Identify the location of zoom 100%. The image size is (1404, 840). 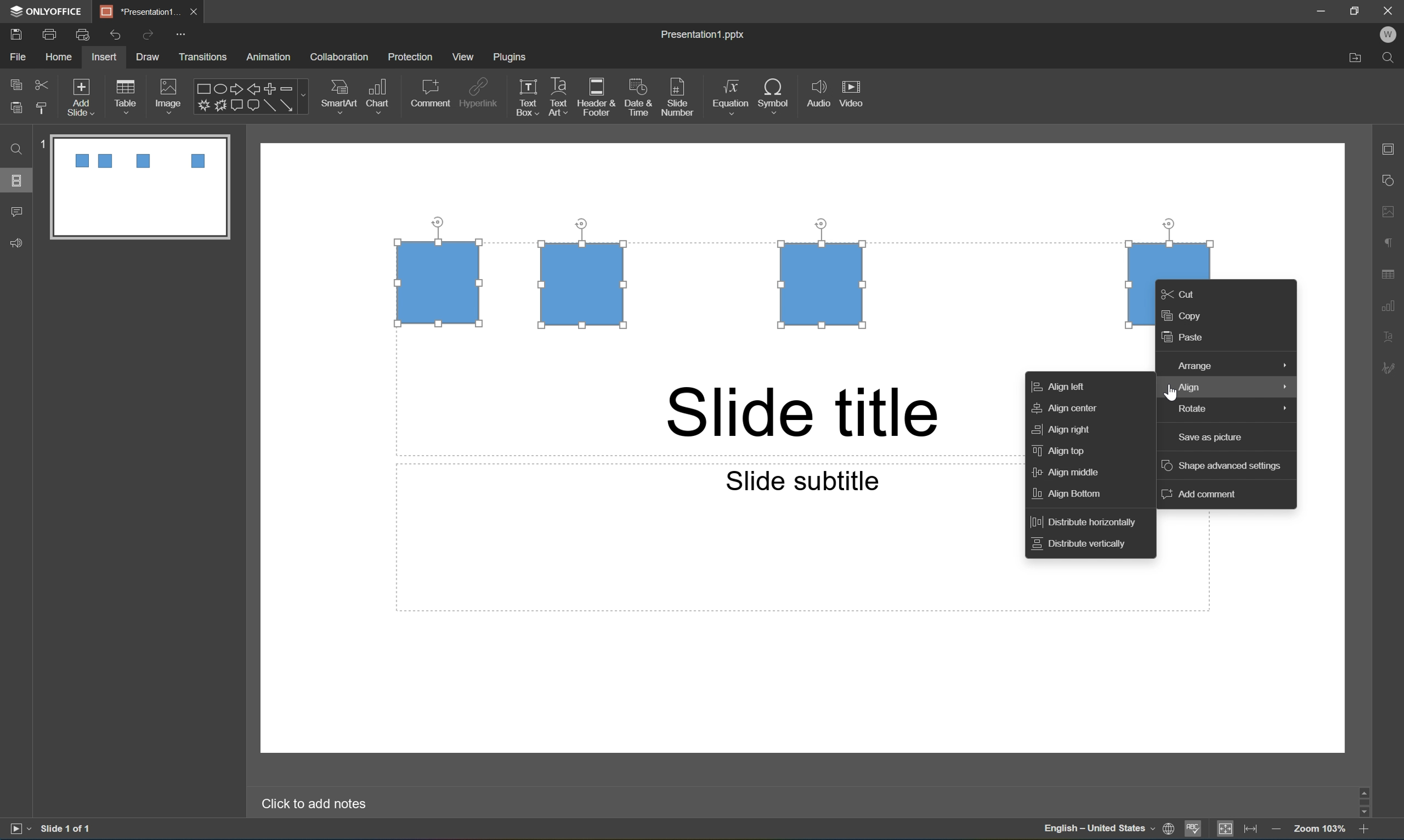
(1321, 830).